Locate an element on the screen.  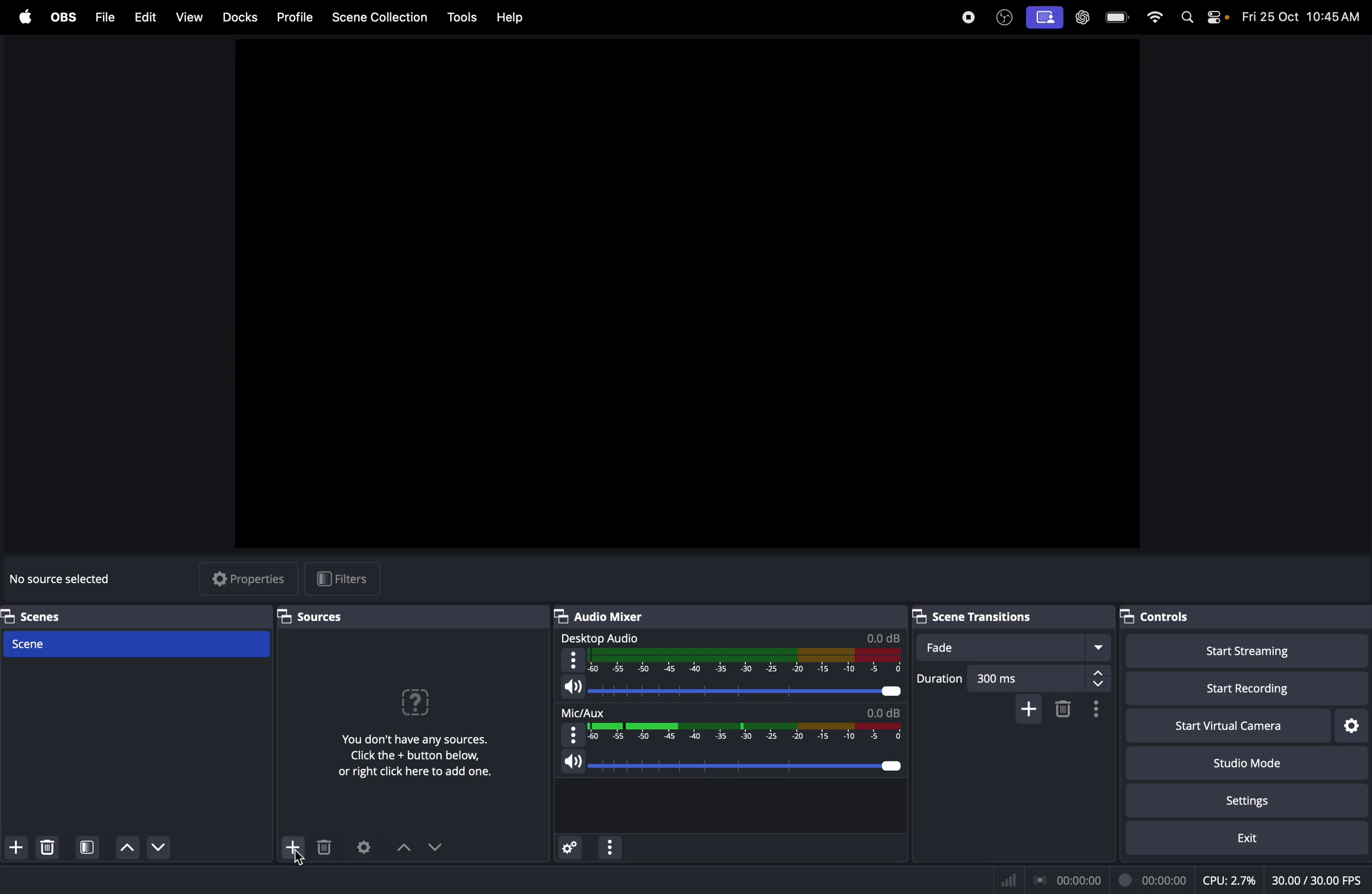
fade is located at coordinates (1017, 647).